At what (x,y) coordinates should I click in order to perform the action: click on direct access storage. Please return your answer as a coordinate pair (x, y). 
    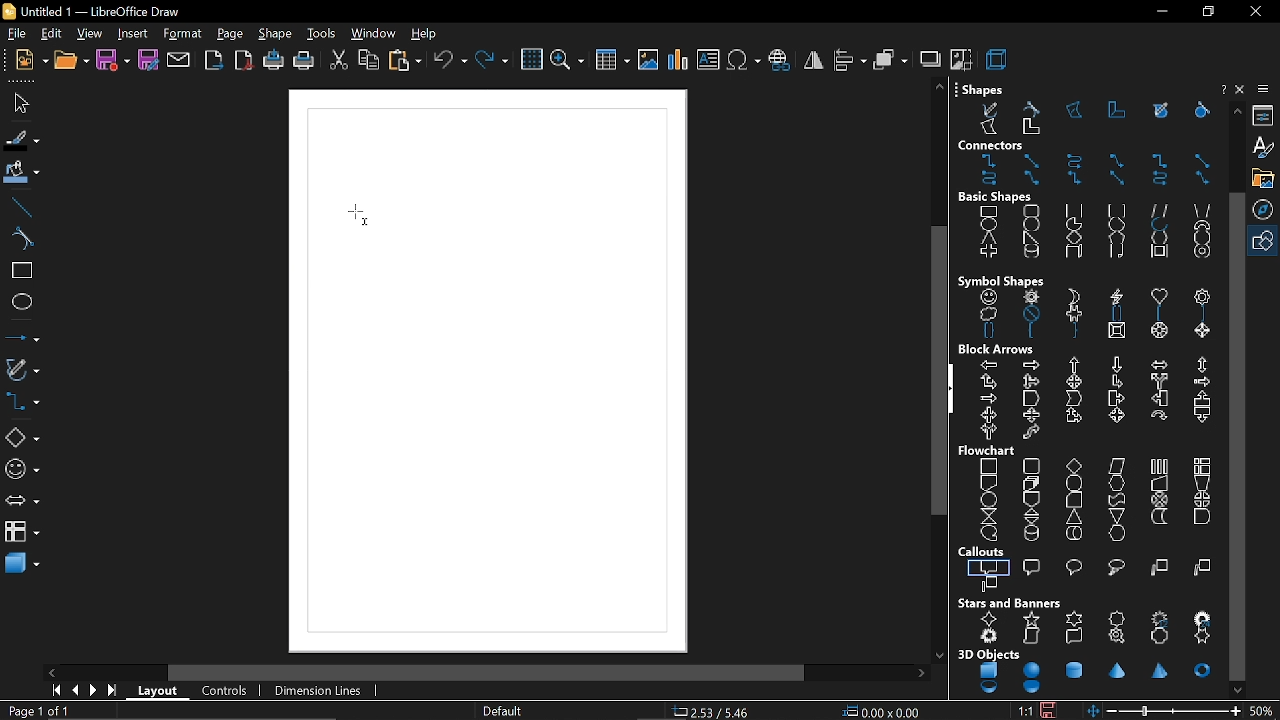
    Looking at the image, I should click on (1073, 534).